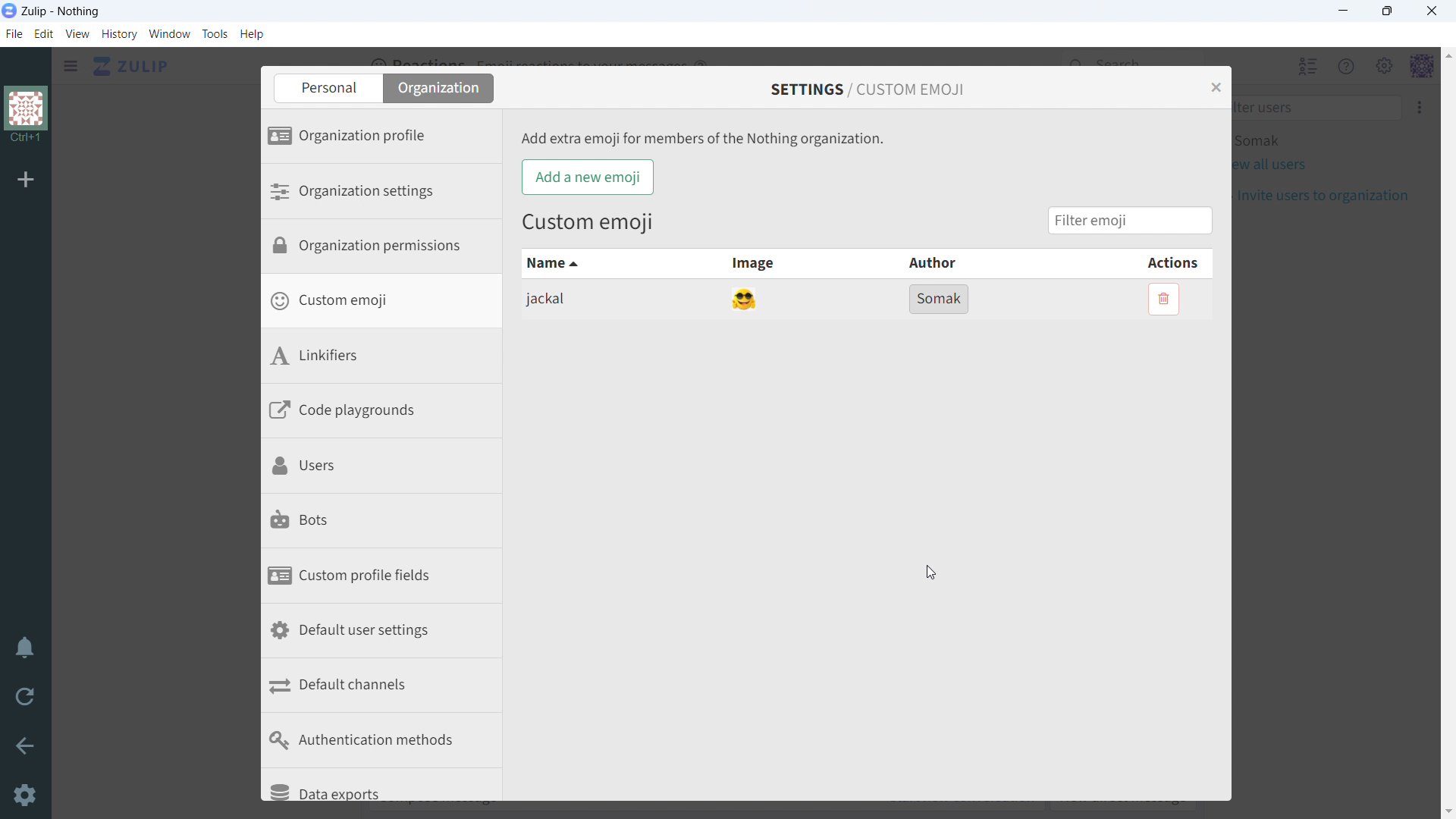 The width and height of the screenshot is (1456, 819). I want to click on users, so click(388, 467).